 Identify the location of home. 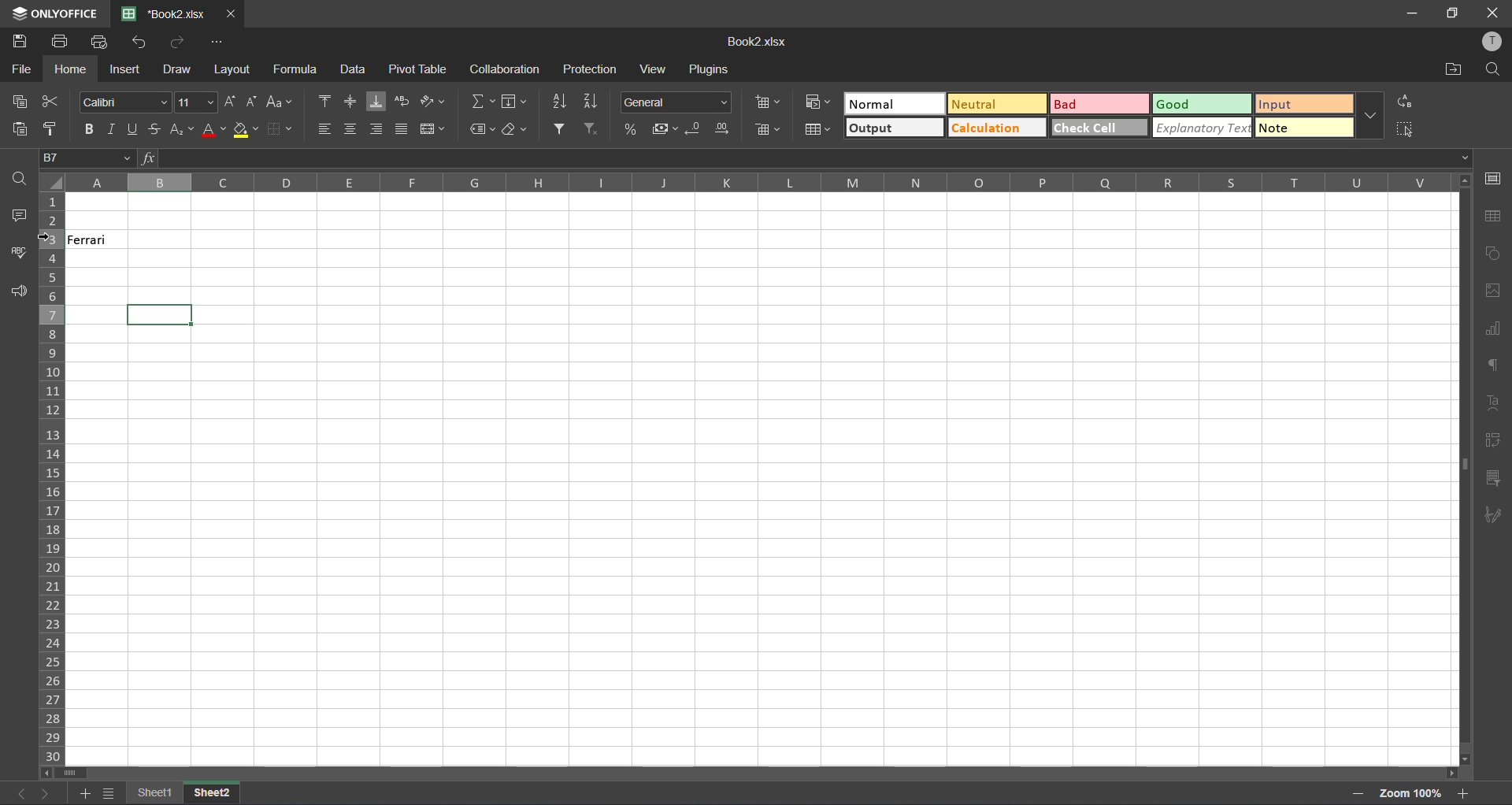
(68, 71).